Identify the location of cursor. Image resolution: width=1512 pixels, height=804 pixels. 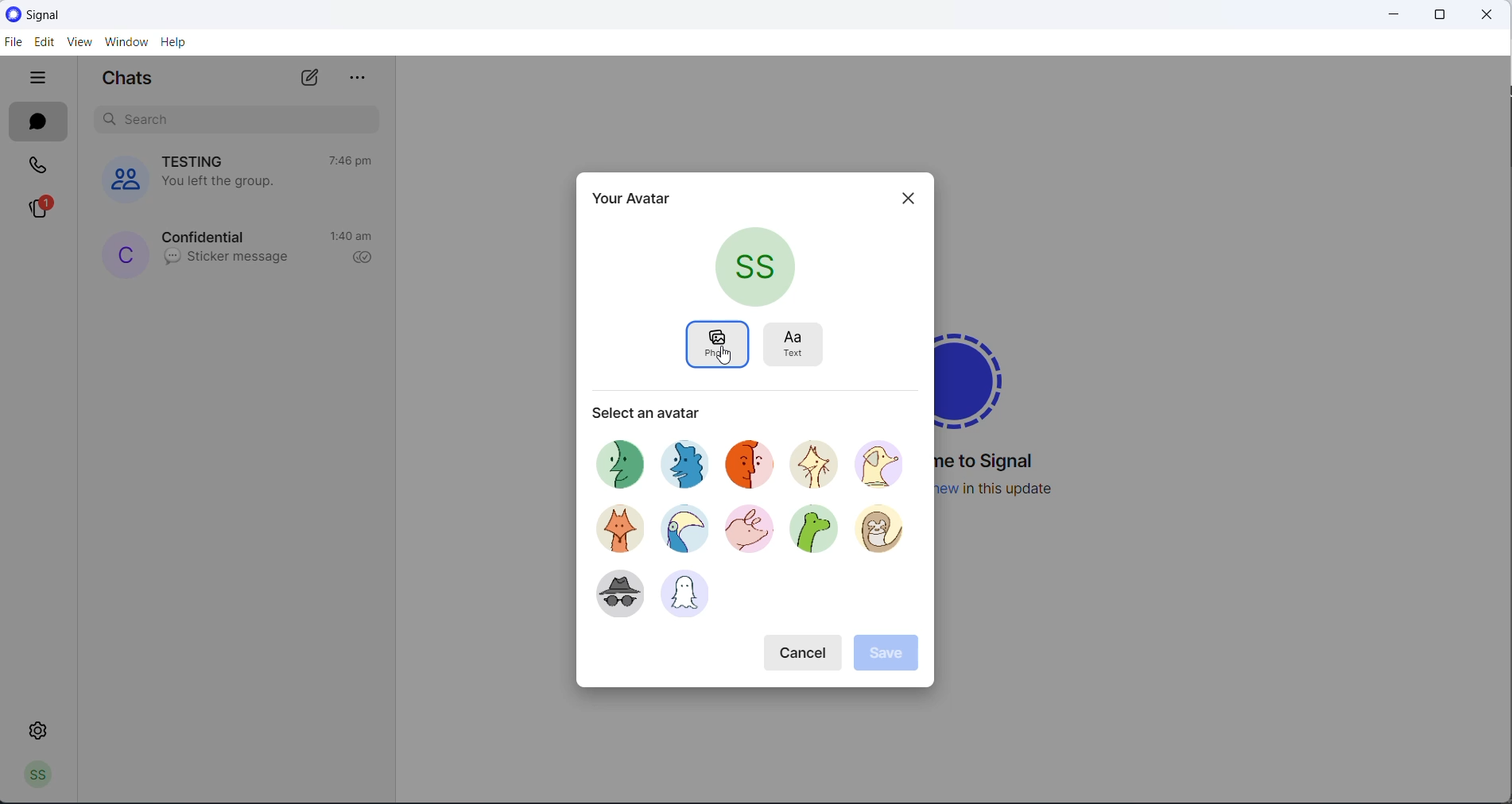
(722, 356).